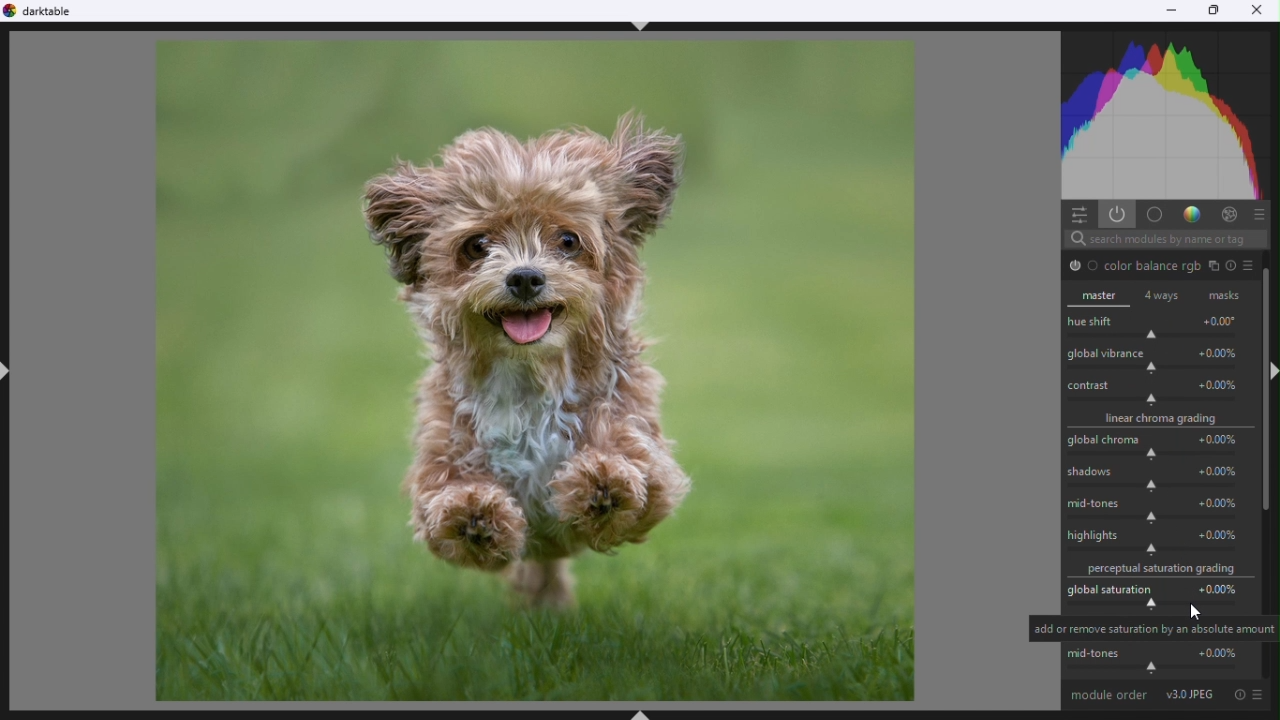  I want to click on Contrast, so click(1160, 393).